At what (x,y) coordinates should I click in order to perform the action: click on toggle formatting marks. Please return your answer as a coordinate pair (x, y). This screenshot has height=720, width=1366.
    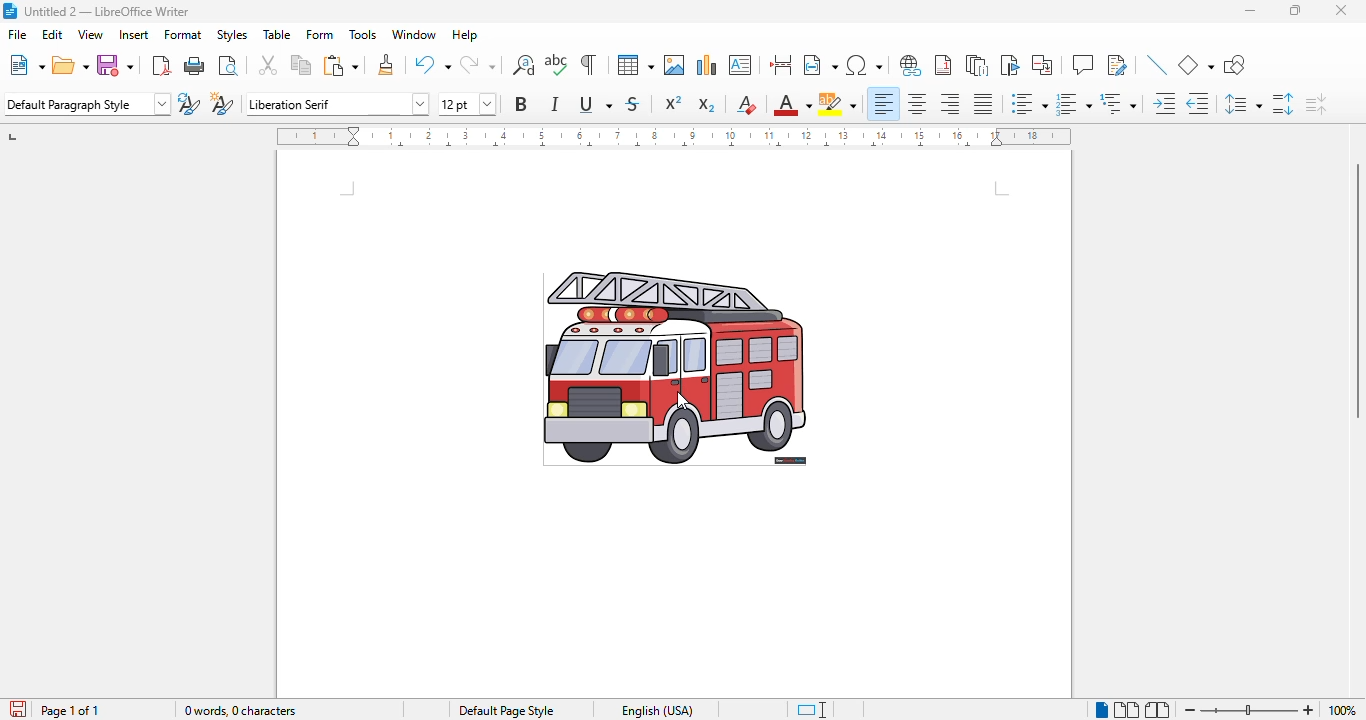
    Looking at the image, I should click on (590, 64).